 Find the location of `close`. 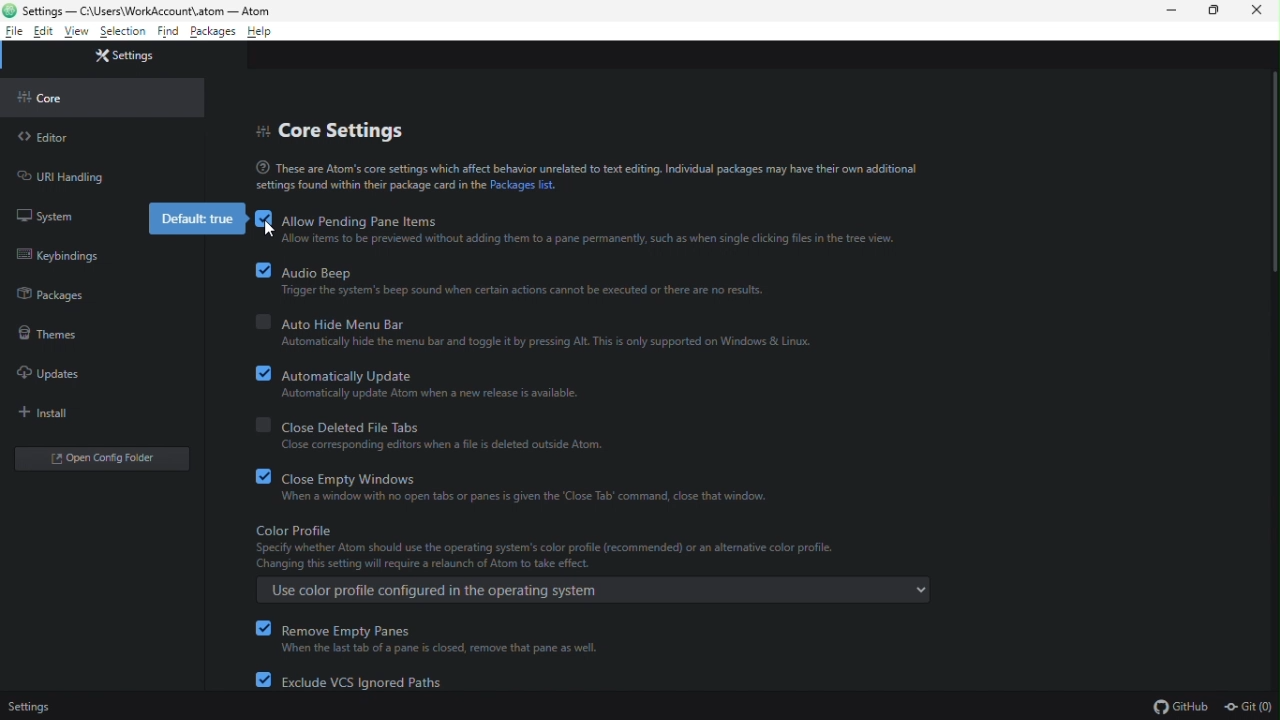

close is located at coordinates (1256, 11).